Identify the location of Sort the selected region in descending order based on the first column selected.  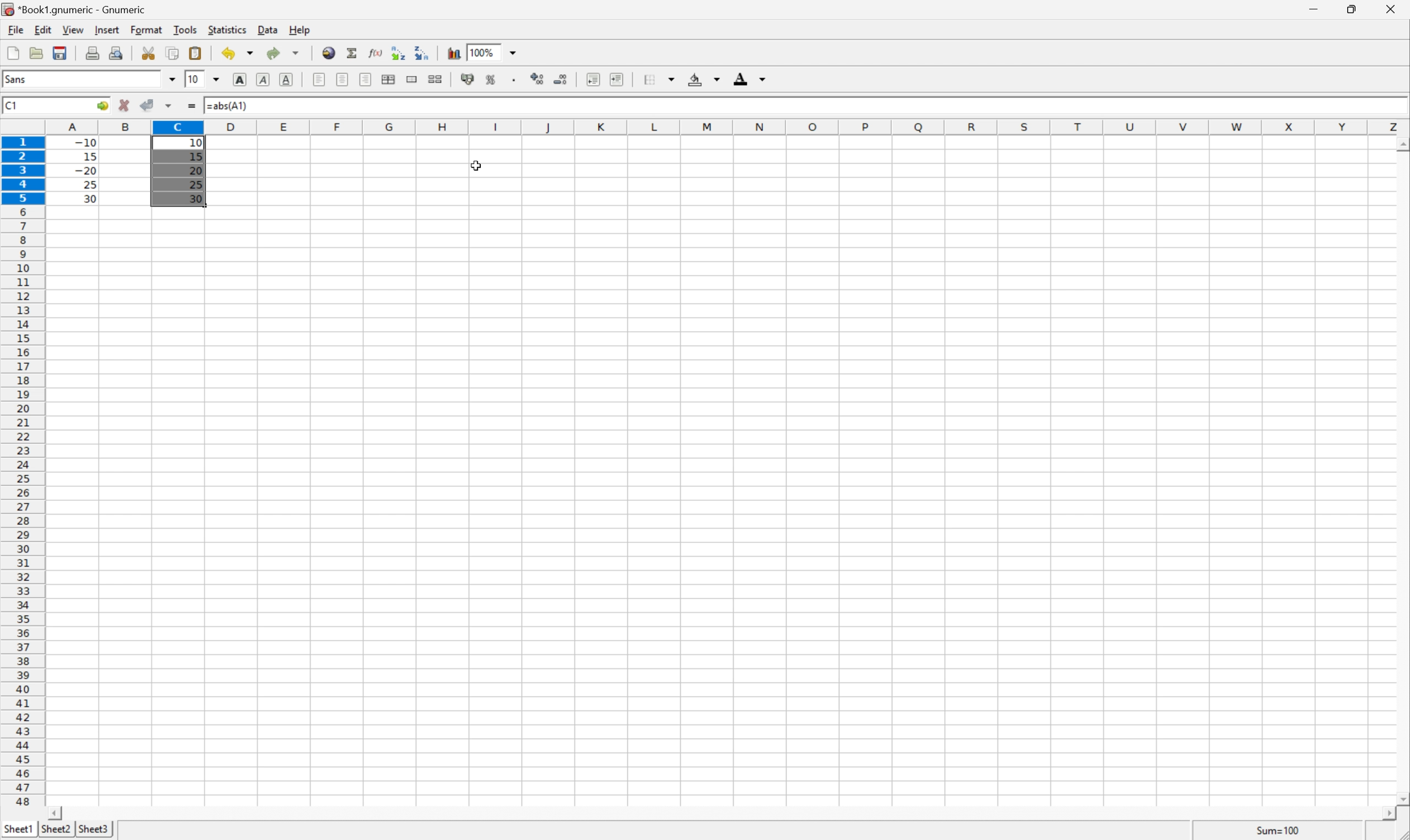
(421, 52).